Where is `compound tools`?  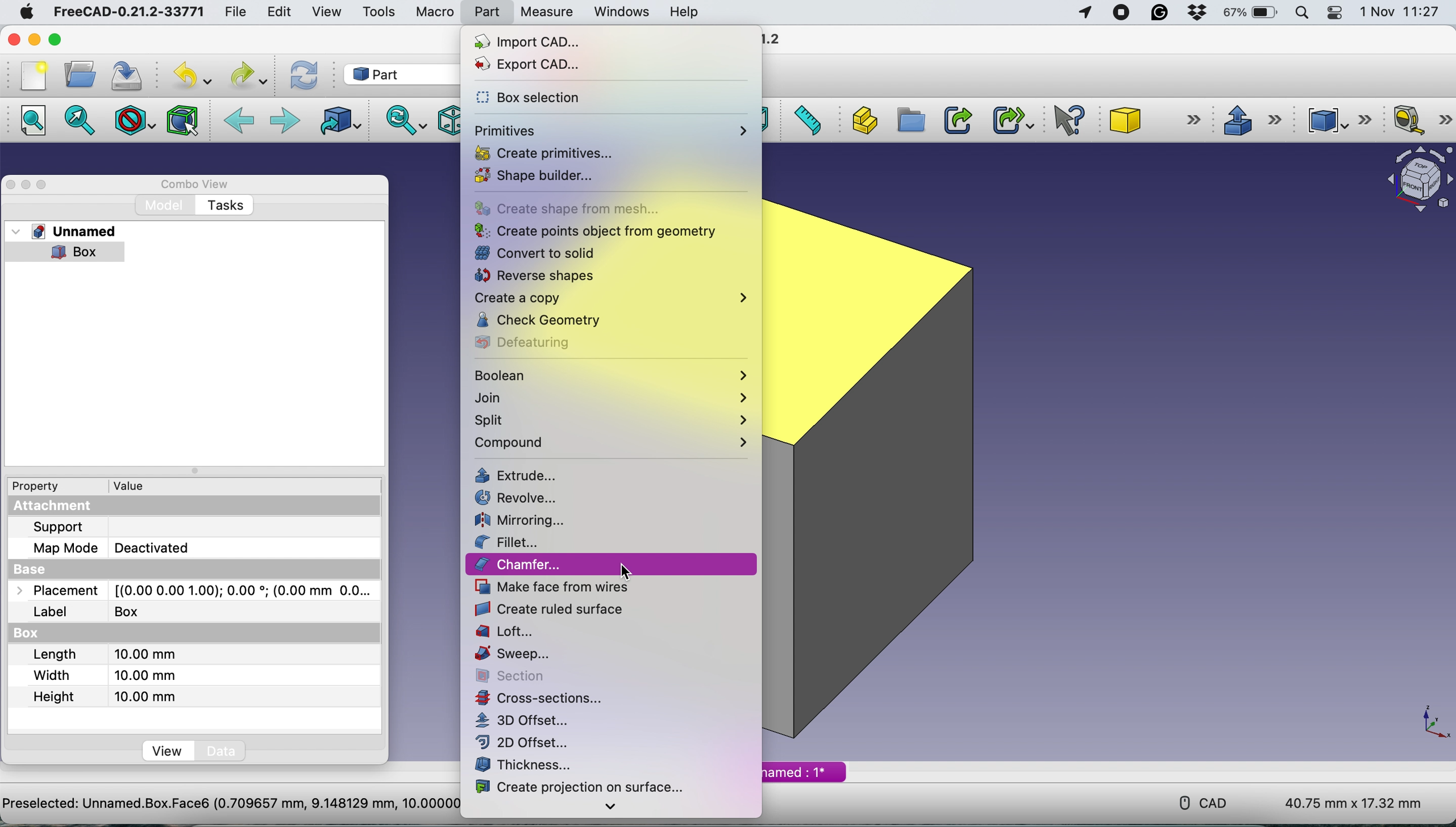
compound tools is located at coordinates (1336, 120).